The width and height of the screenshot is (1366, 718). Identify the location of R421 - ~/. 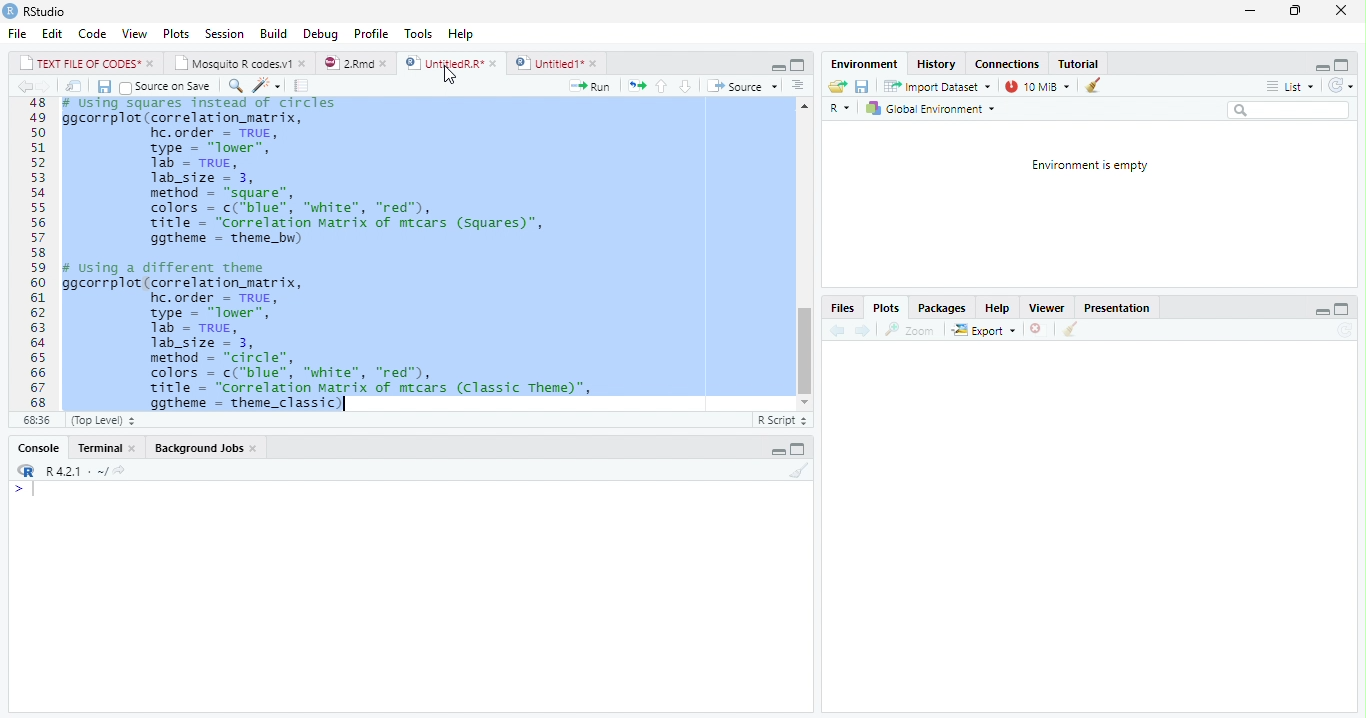
(86, 471).